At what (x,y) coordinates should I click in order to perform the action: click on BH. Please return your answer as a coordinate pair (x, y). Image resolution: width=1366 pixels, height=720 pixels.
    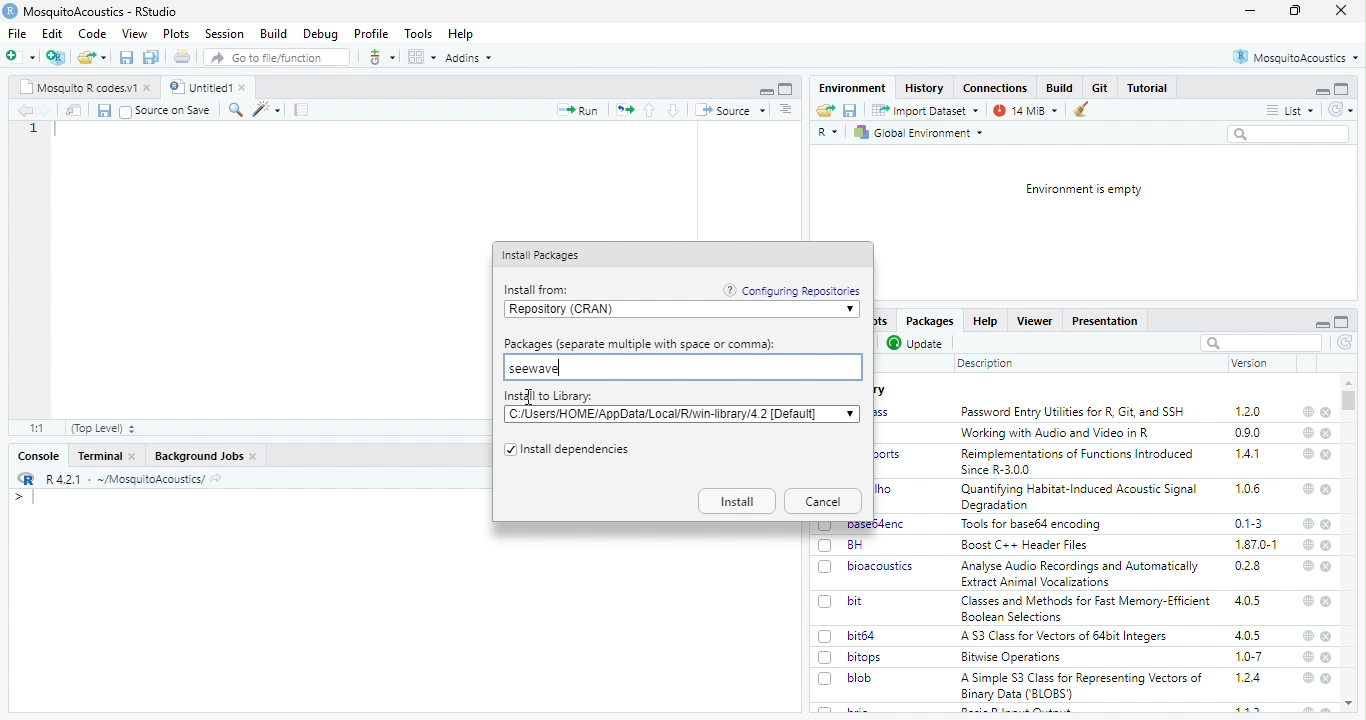
    Looking at the image, I should click on (855, 545).